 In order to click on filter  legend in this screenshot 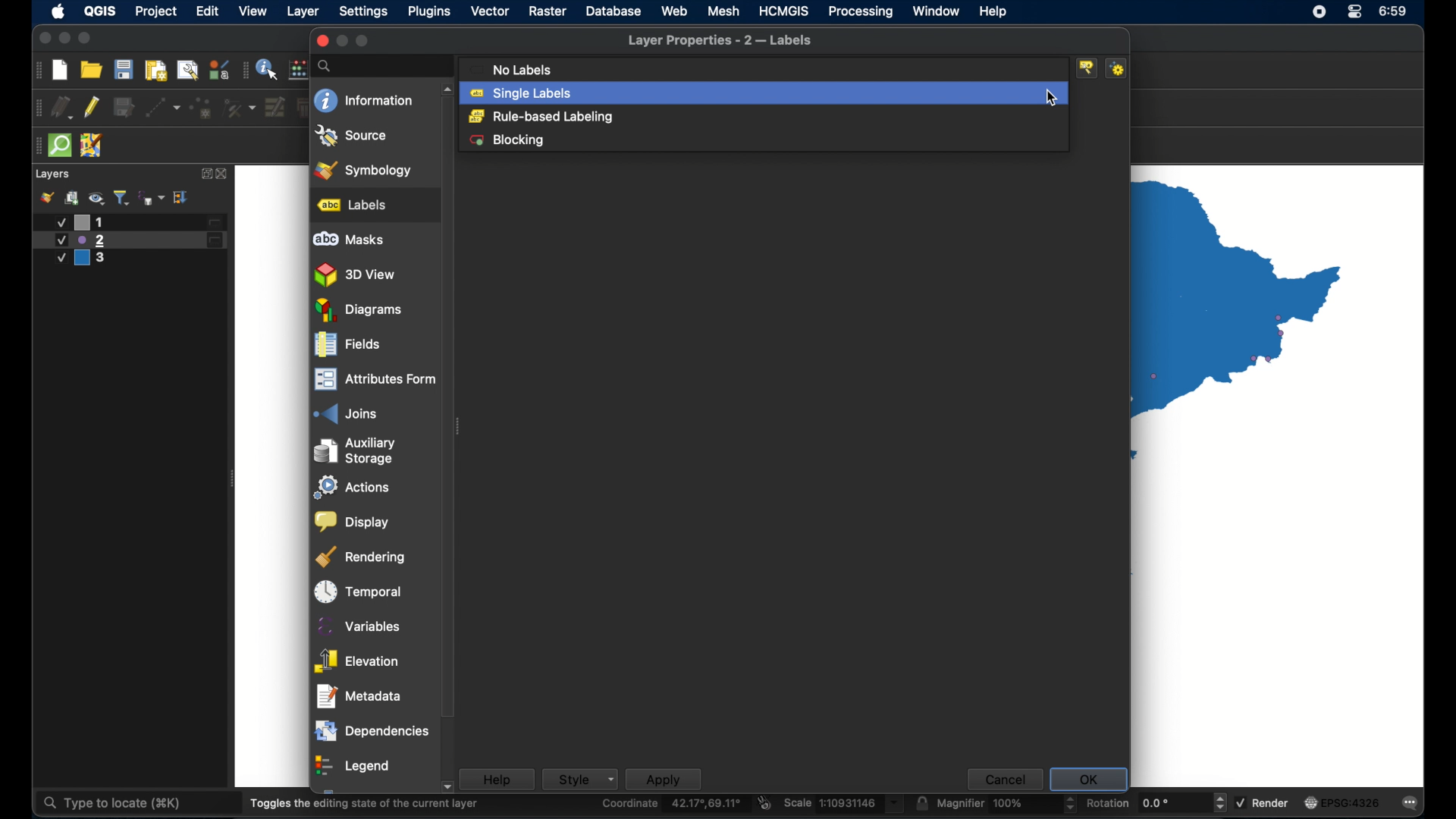, I will do `click(122, 197)`.